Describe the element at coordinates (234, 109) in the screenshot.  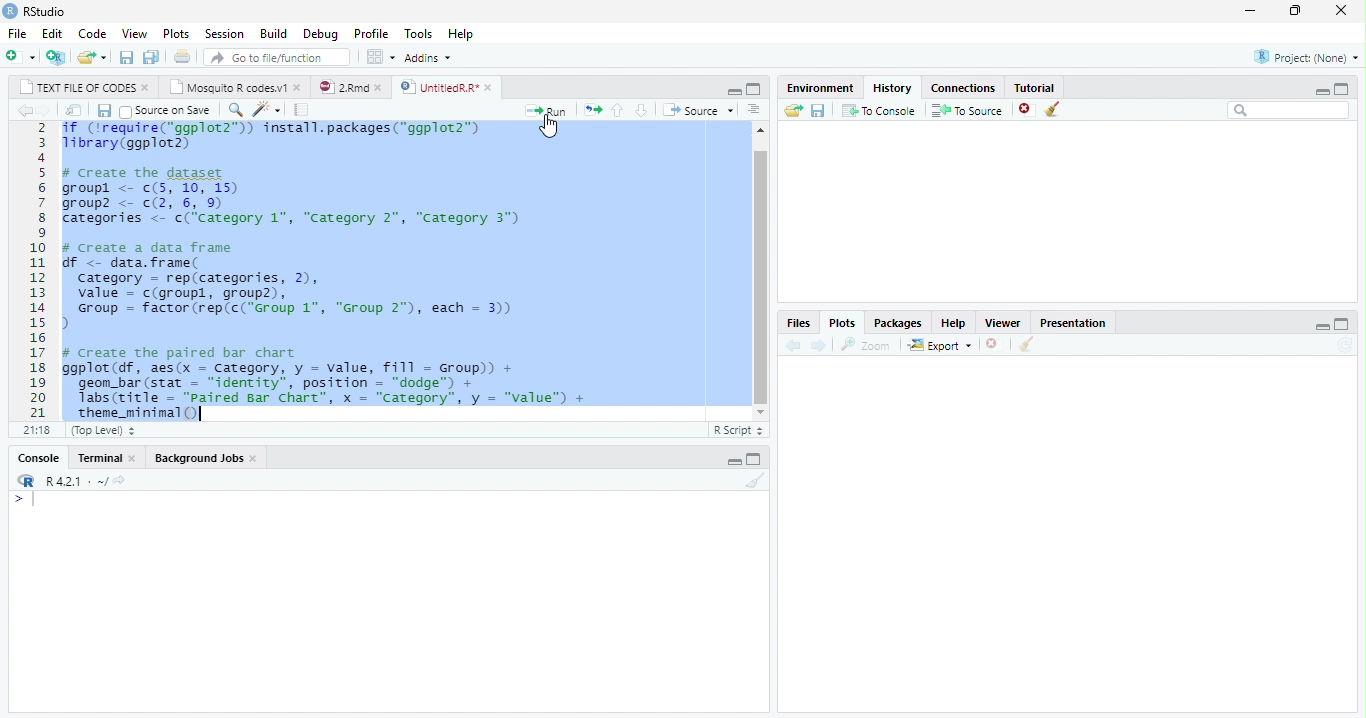
I see `find and replace` at that location.